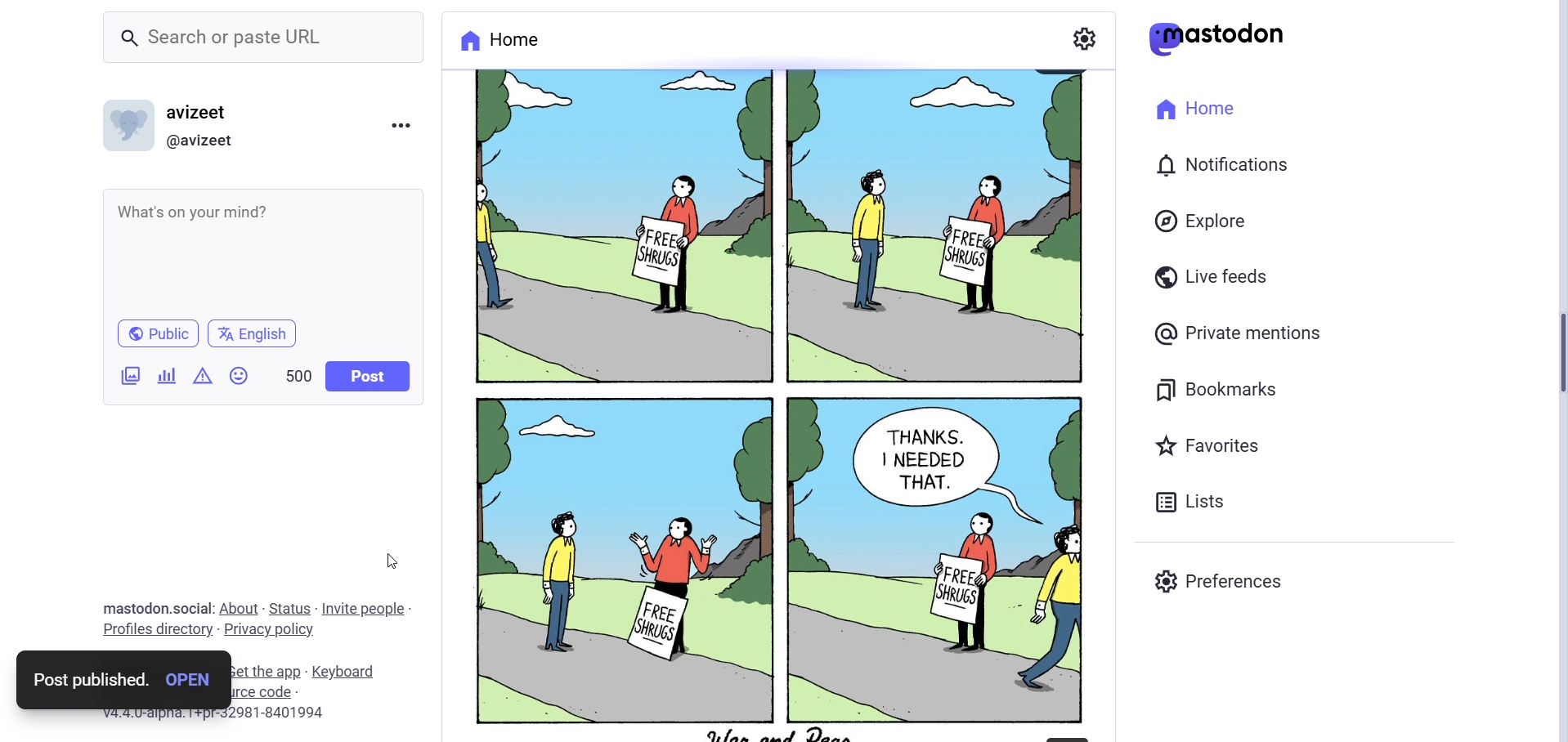 This screenshot has width=1568, height=742. What do you see at coordinates (262, 253) in the screenshot?
I see `Whats on your mind` at bounding box center [262, 253].